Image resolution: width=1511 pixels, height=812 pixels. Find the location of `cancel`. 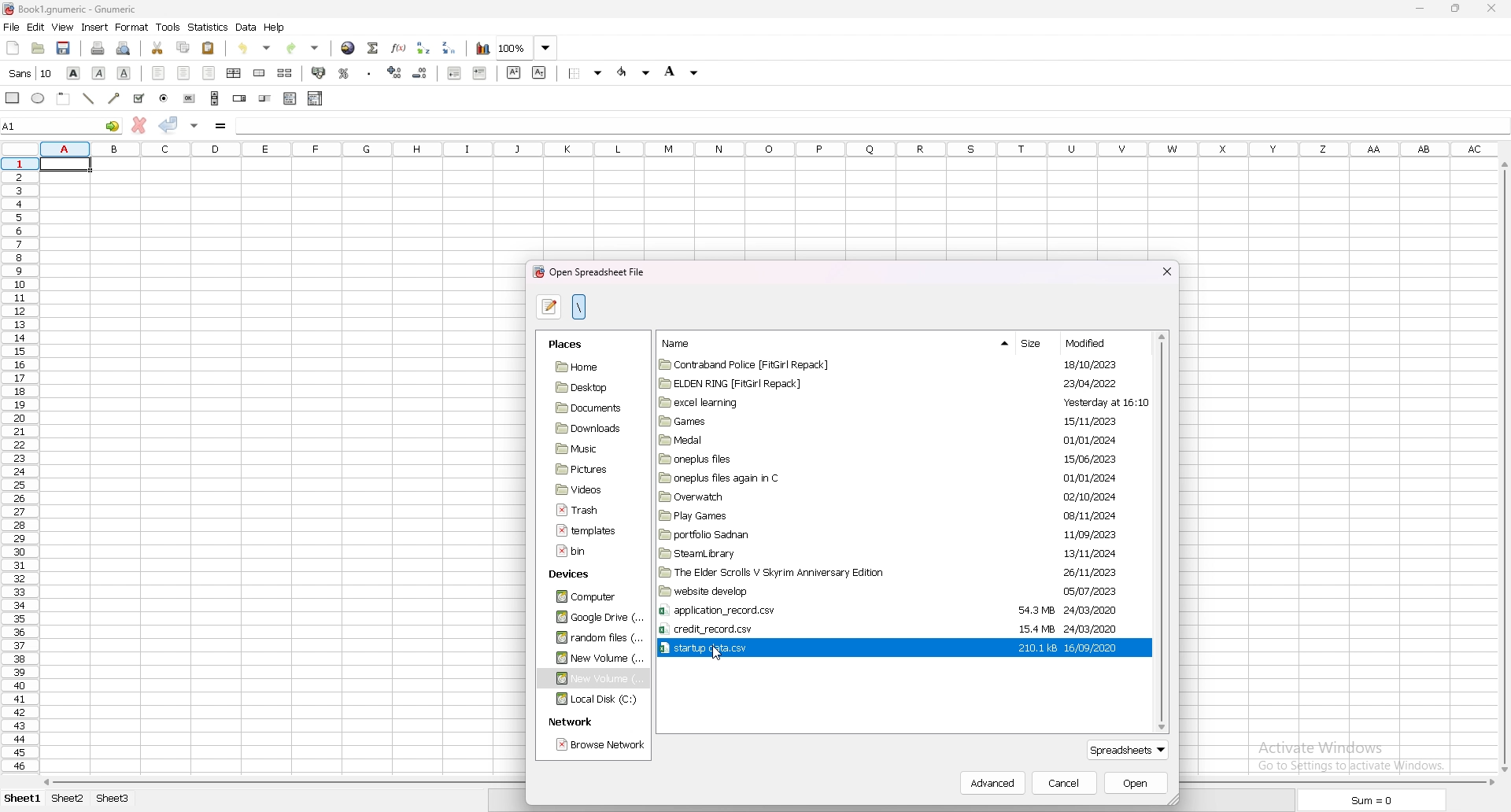

cancel is located at coordinates (1066, 783).